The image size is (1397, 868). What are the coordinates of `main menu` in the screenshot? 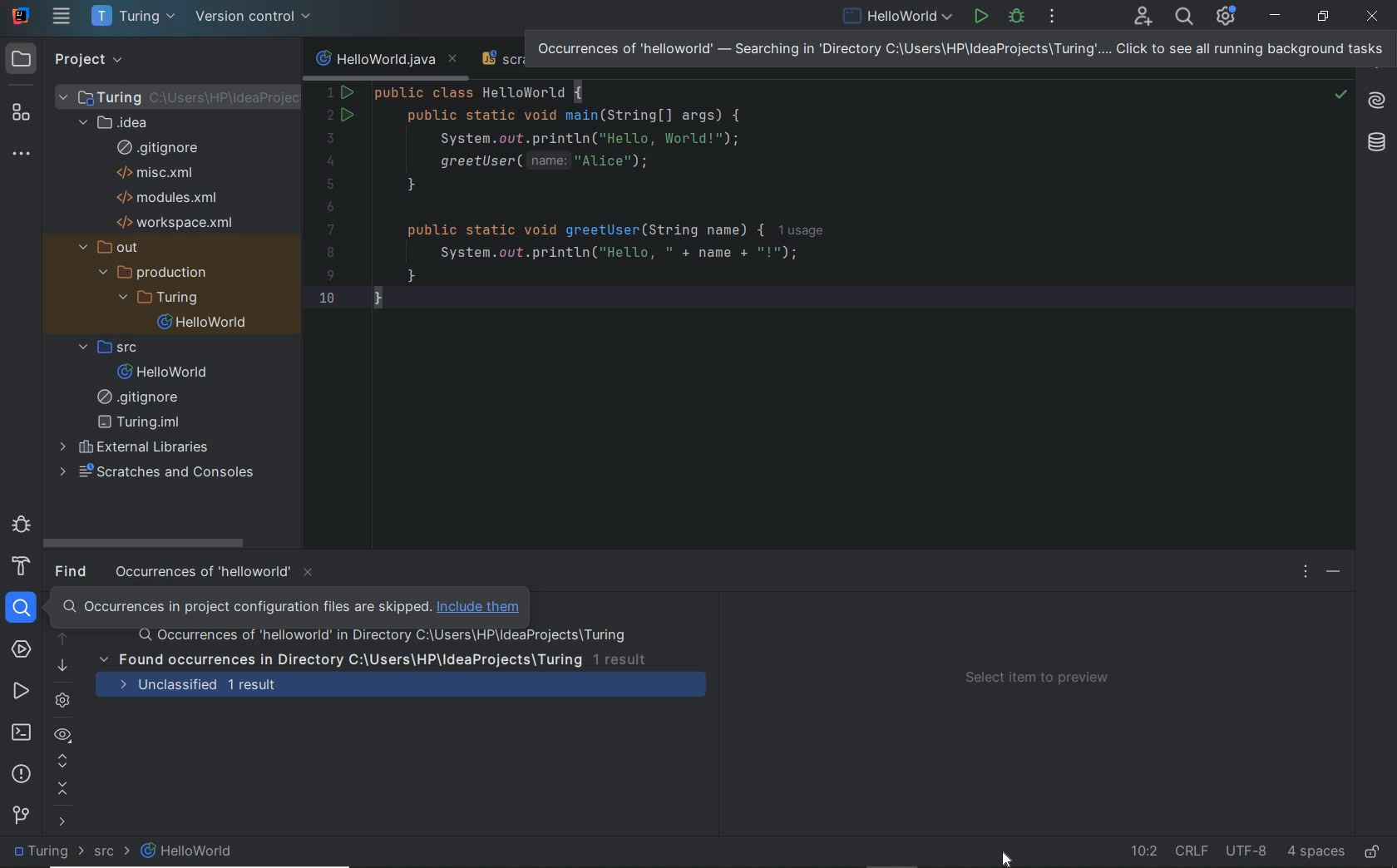 It's located at (62, 16).